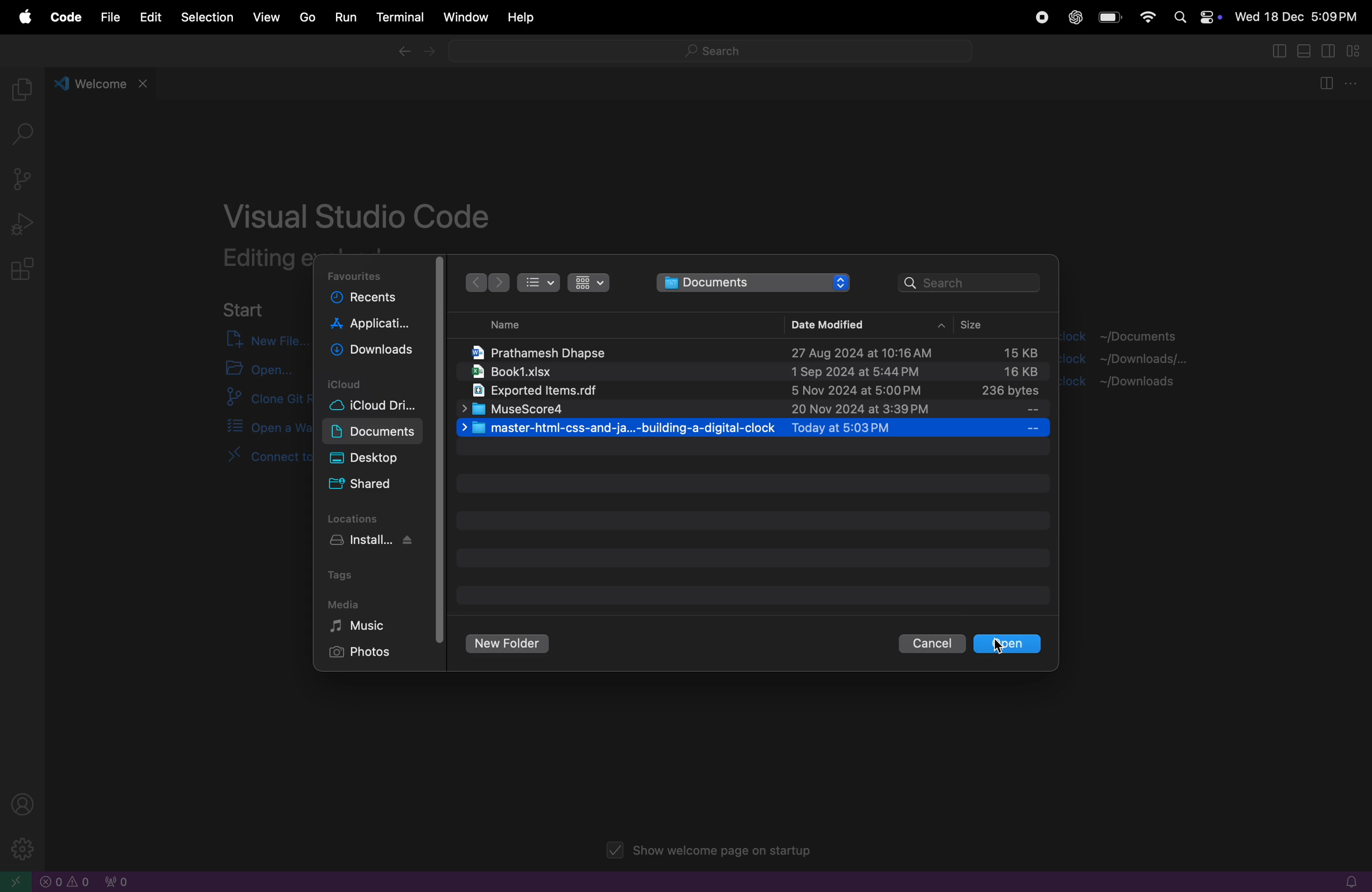 The width and height of the screenshot is (1372, 892). Describe the element at coordinates (587, 282) in the screenshot. I see `sort icons` at that location.